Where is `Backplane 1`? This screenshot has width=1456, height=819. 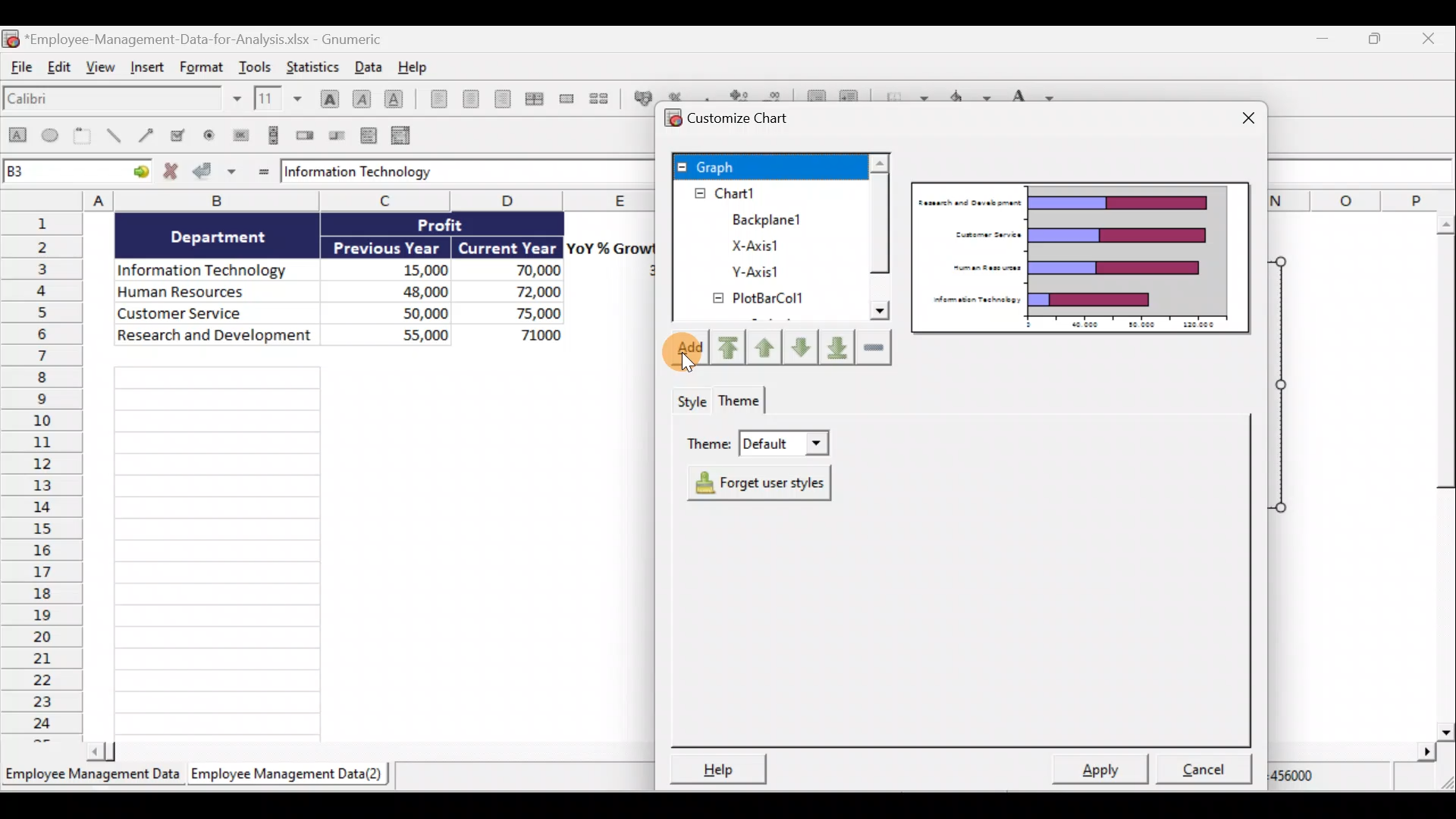
Backplane 1 is located at coordinates (761, 217).